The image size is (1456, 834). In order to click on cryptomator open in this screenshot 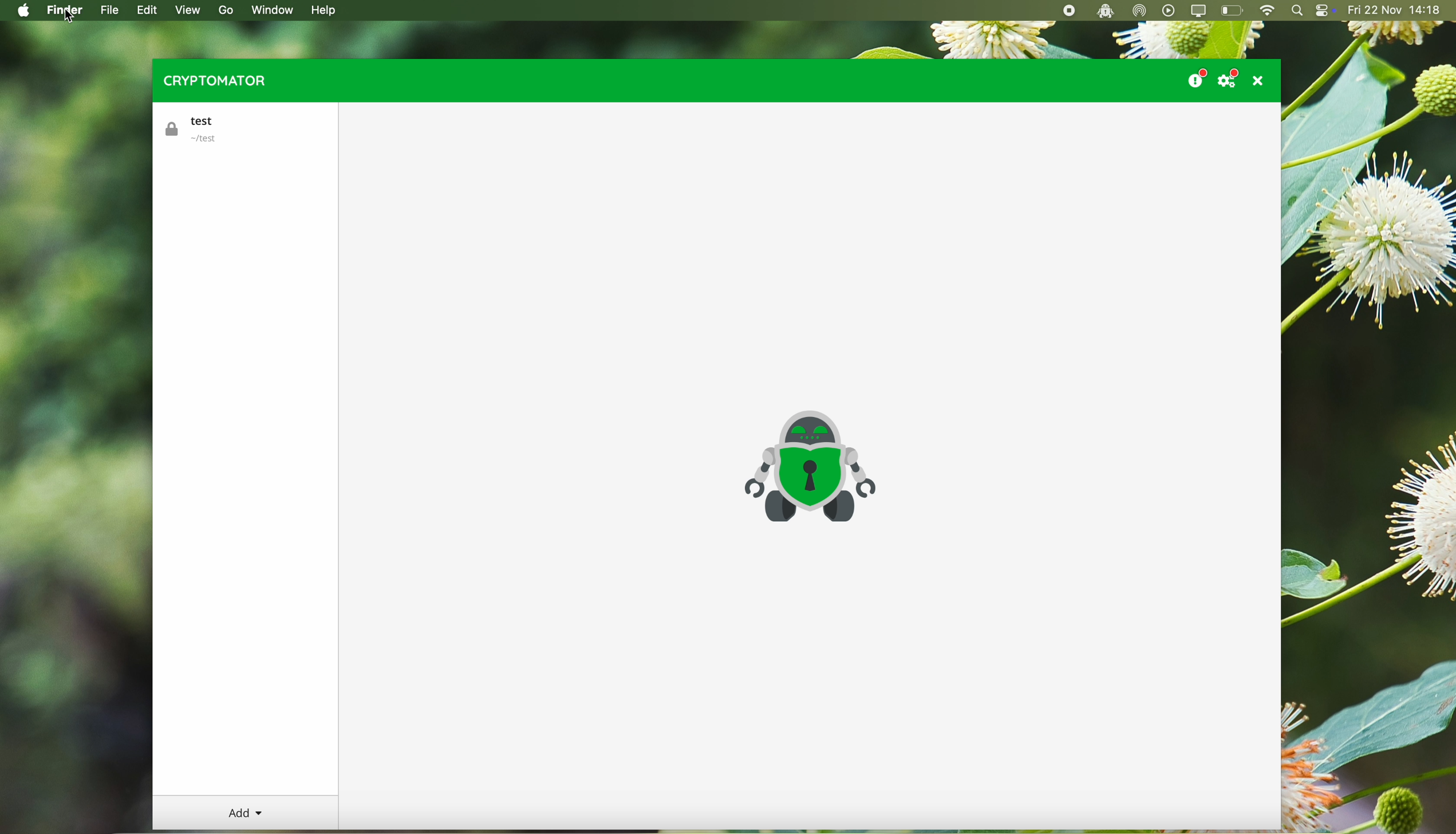, I will do `click(1103, 11)`.